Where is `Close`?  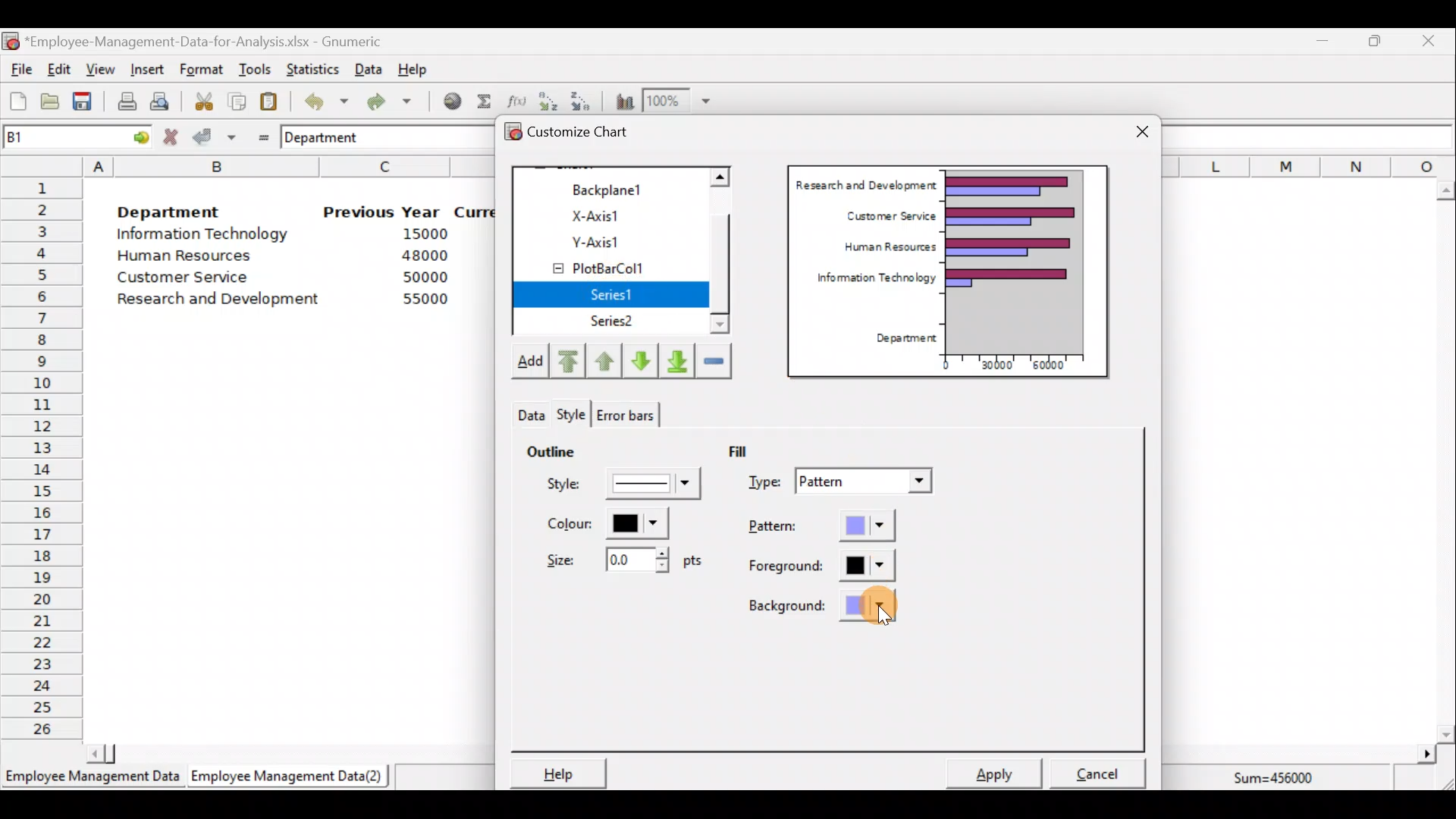 Close is located at coordinates (1427, 43).